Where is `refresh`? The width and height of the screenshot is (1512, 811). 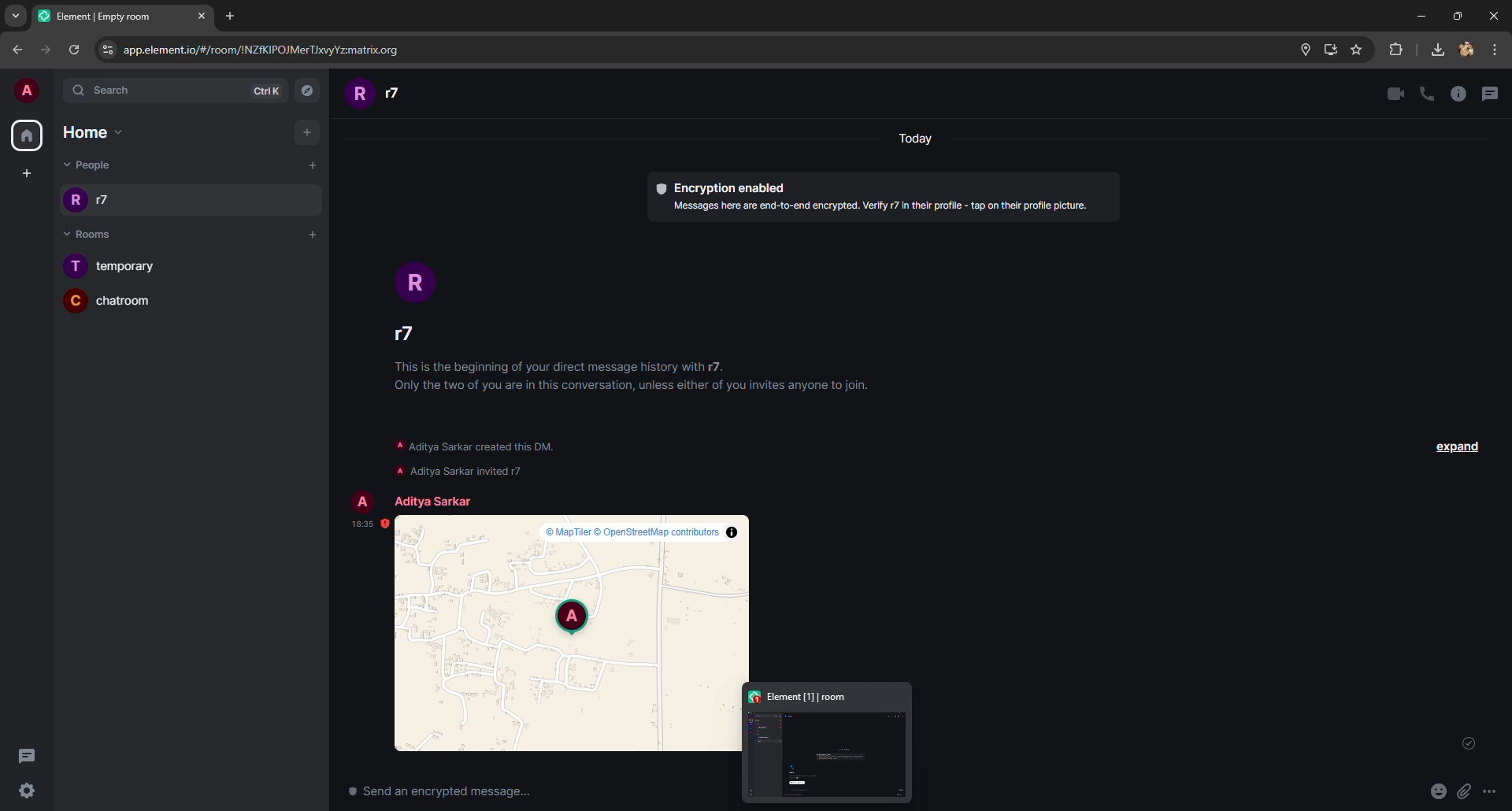 refresh is located at coordinates (73, 49).